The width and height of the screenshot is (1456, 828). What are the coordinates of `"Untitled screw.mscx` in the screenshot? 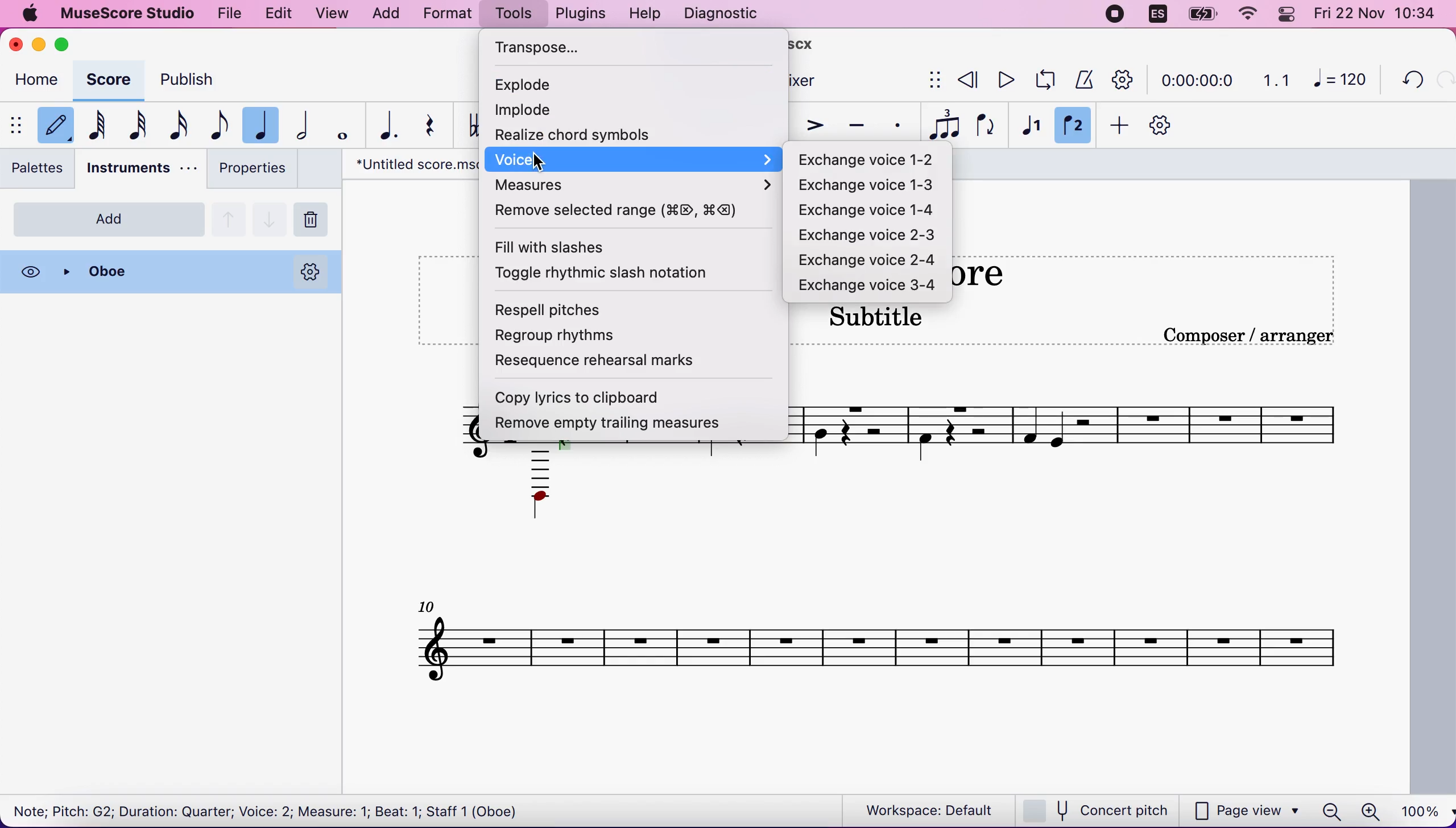 It's located at (413, 165).